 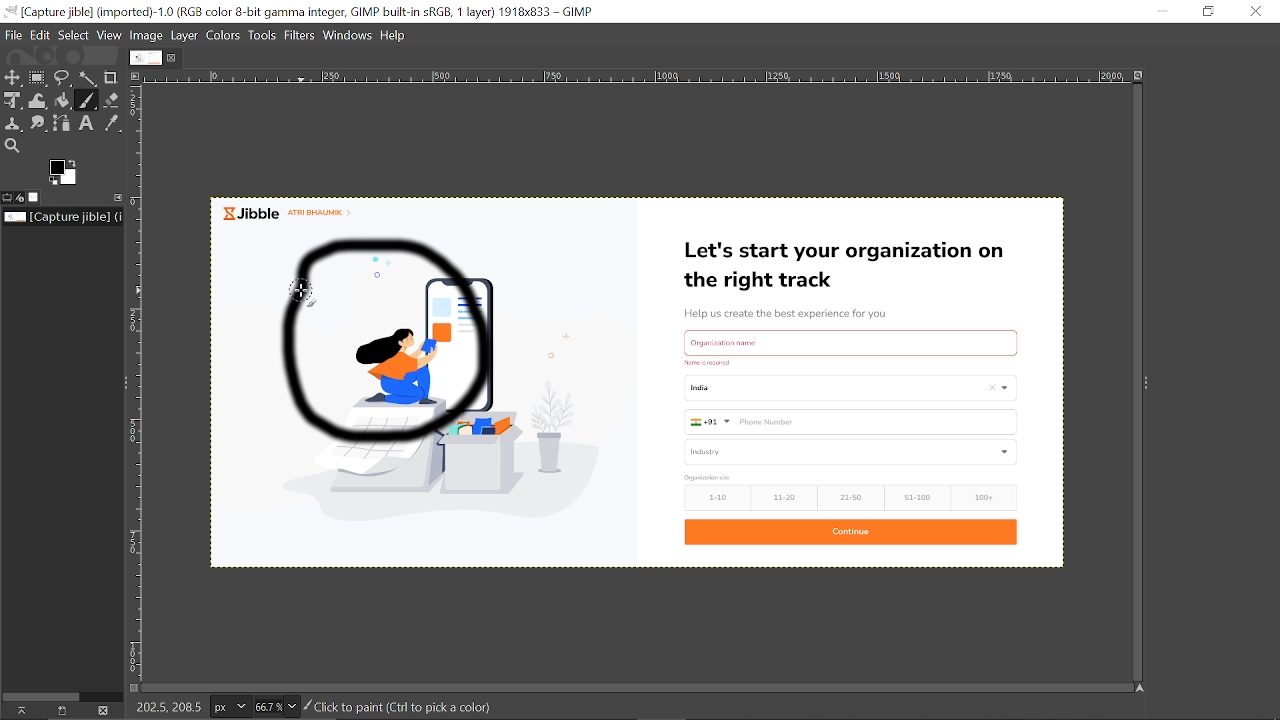 What do you see at coordinates (1139, 74) in the screenshot?
I see `Zoom images when window size changes` at bounding box center [1139, 74].